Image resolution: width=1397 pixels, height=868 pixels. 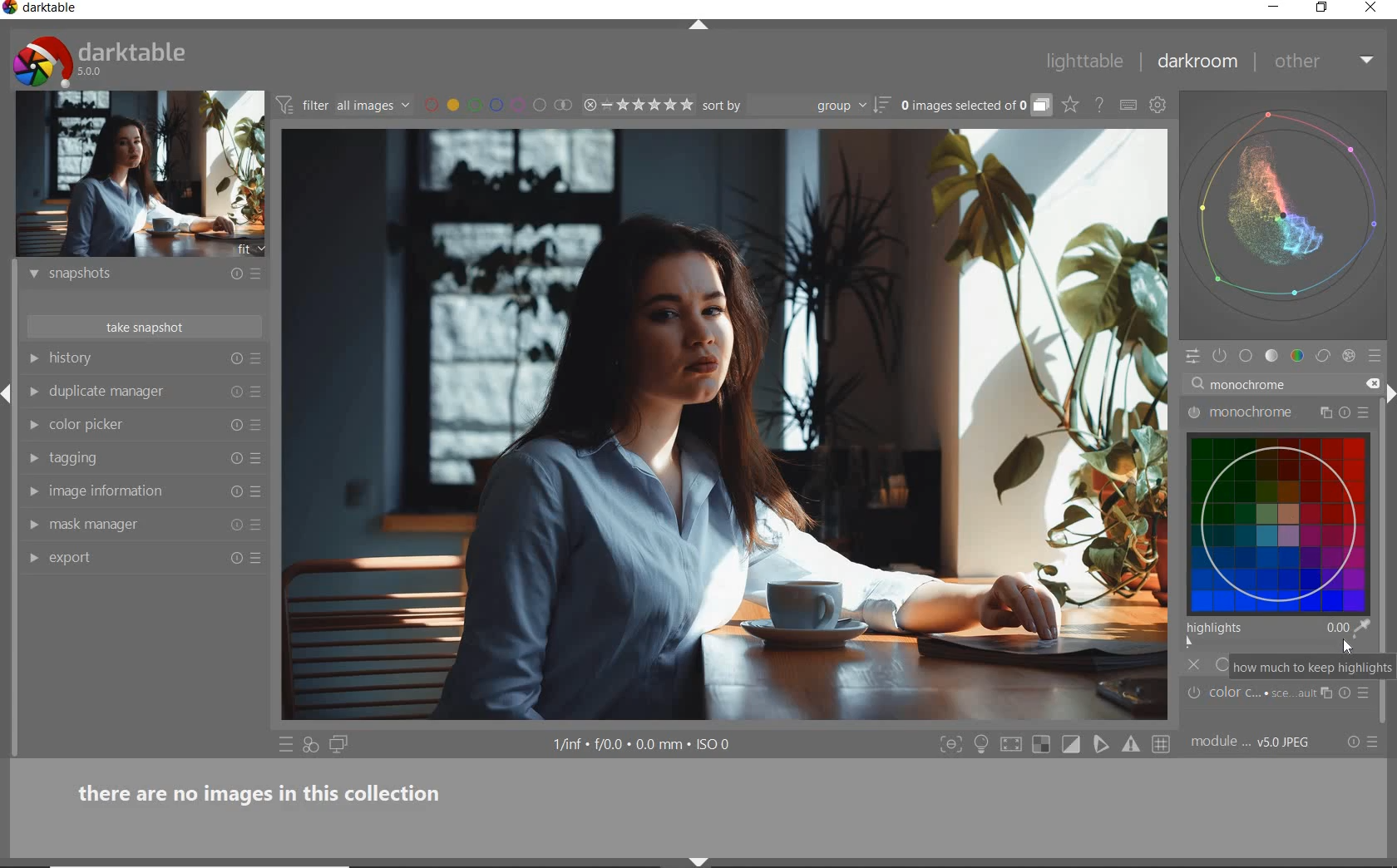 What do you see at coordinates (1349, 358) in the screenshot?
I see `effect` at bounding box center [1349, 358].